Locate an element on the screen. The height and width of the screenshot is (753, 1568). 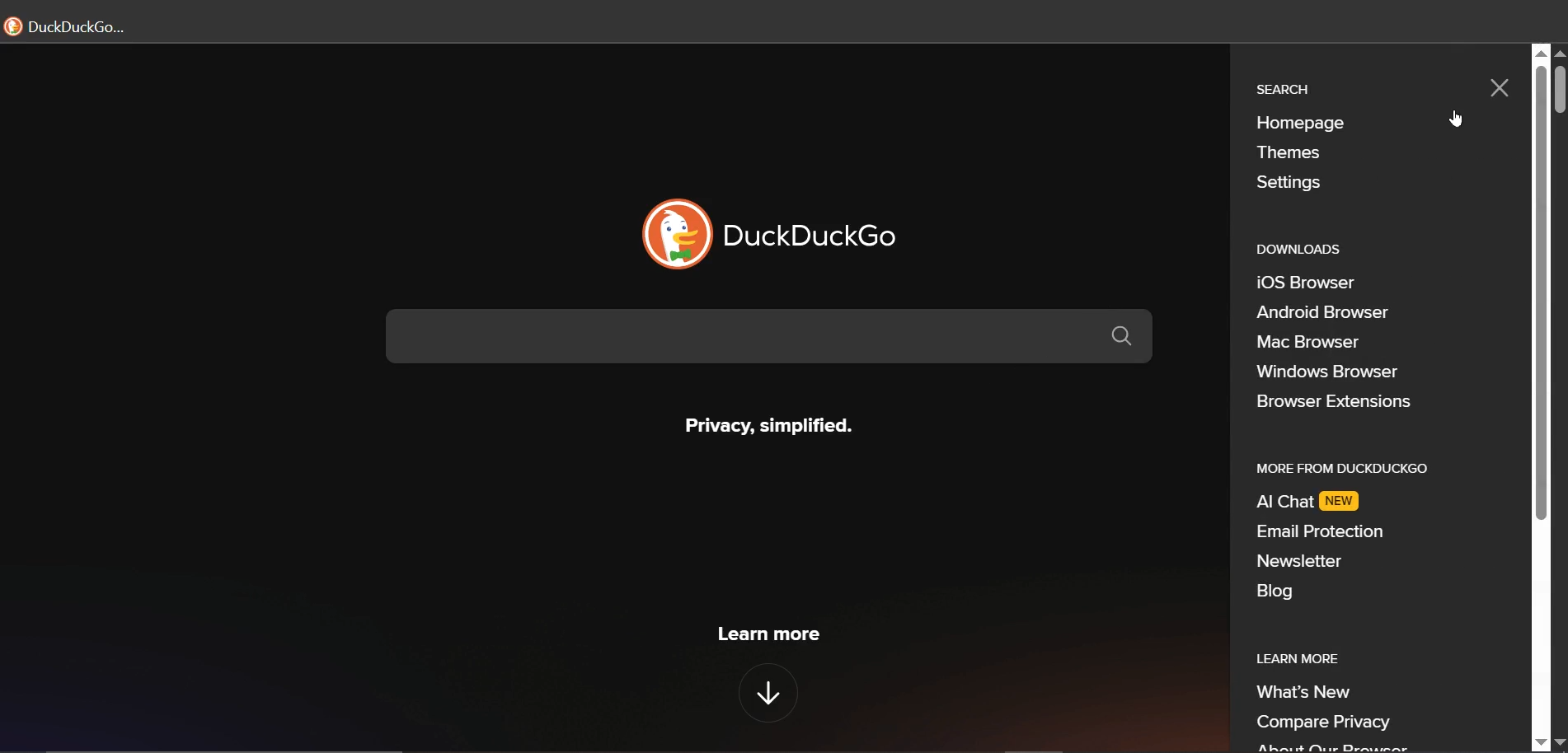
Browser Extensions is located at coordinates (1332, 404).